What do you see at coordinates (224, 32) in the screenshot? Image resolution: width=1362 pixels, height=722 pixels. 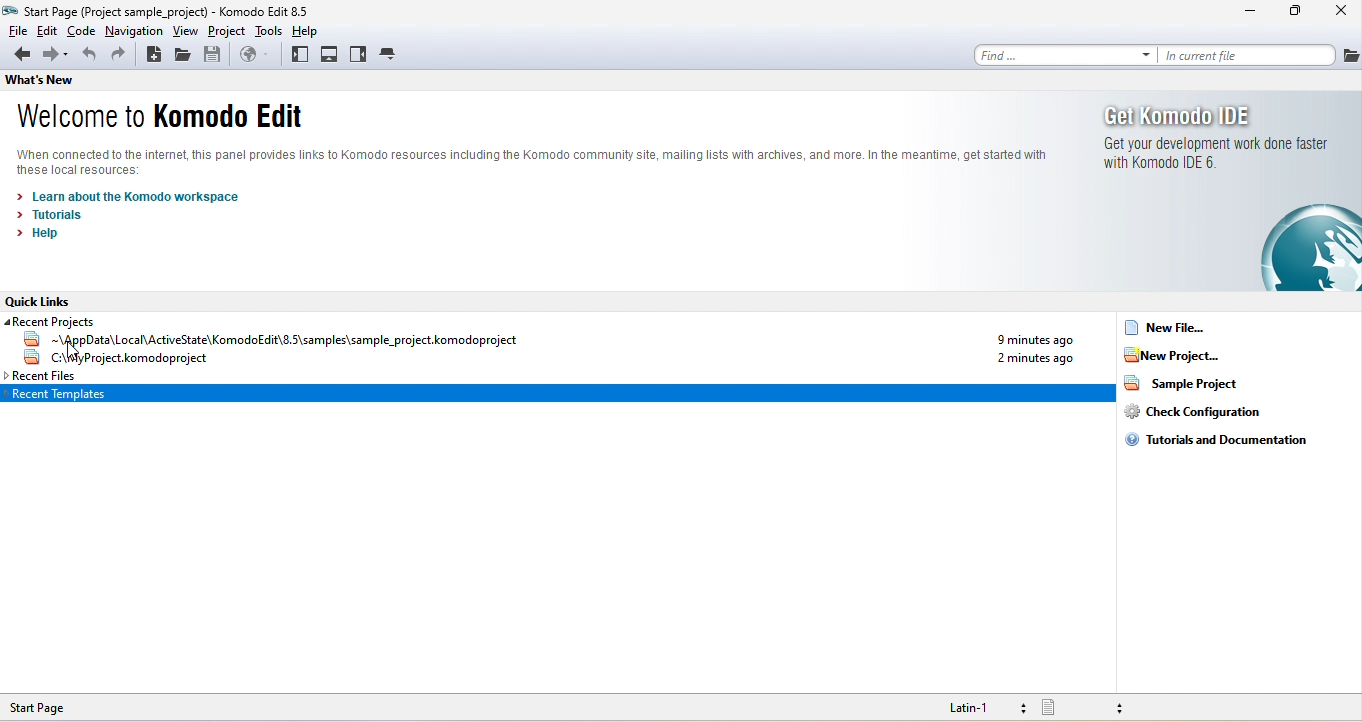 I see `project` at bounding box center [224, 32].